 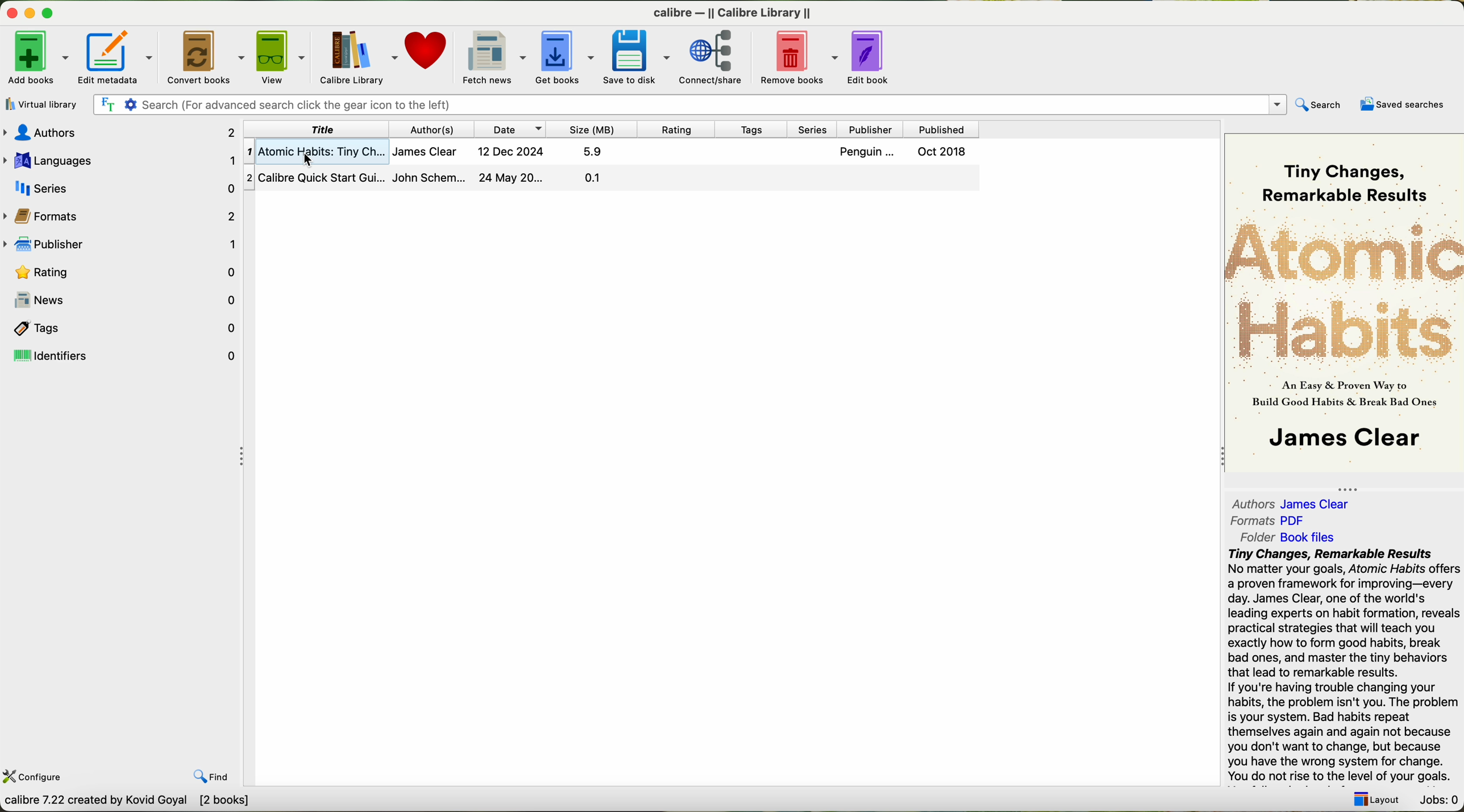 I want to click on authors, so click(x=432, y=130).